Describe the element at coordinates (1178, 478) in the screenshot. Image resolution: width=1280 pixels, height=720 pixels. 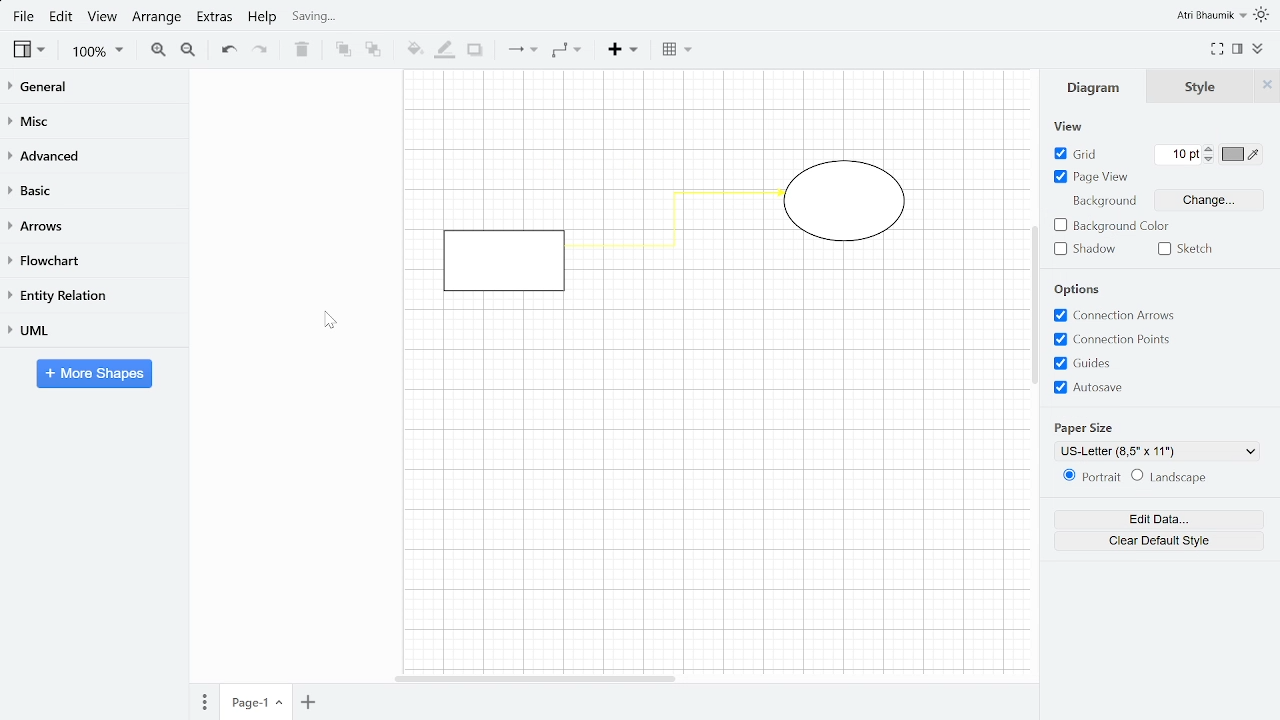
I see `landscape` at that location.